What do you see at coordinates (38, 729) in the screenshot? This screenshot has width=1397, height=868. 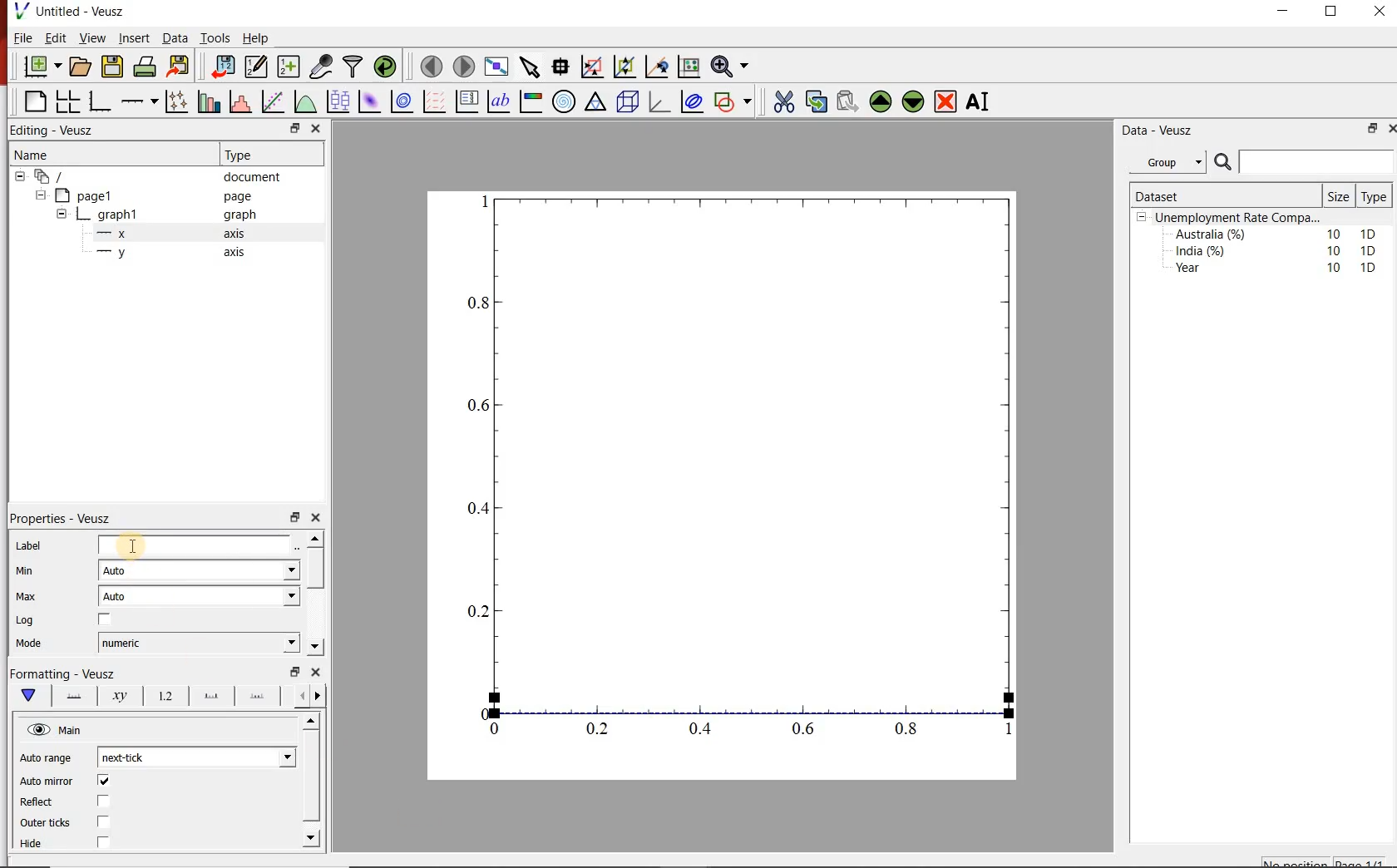 I see `hide/unhide` at bounding box center [38, 729].